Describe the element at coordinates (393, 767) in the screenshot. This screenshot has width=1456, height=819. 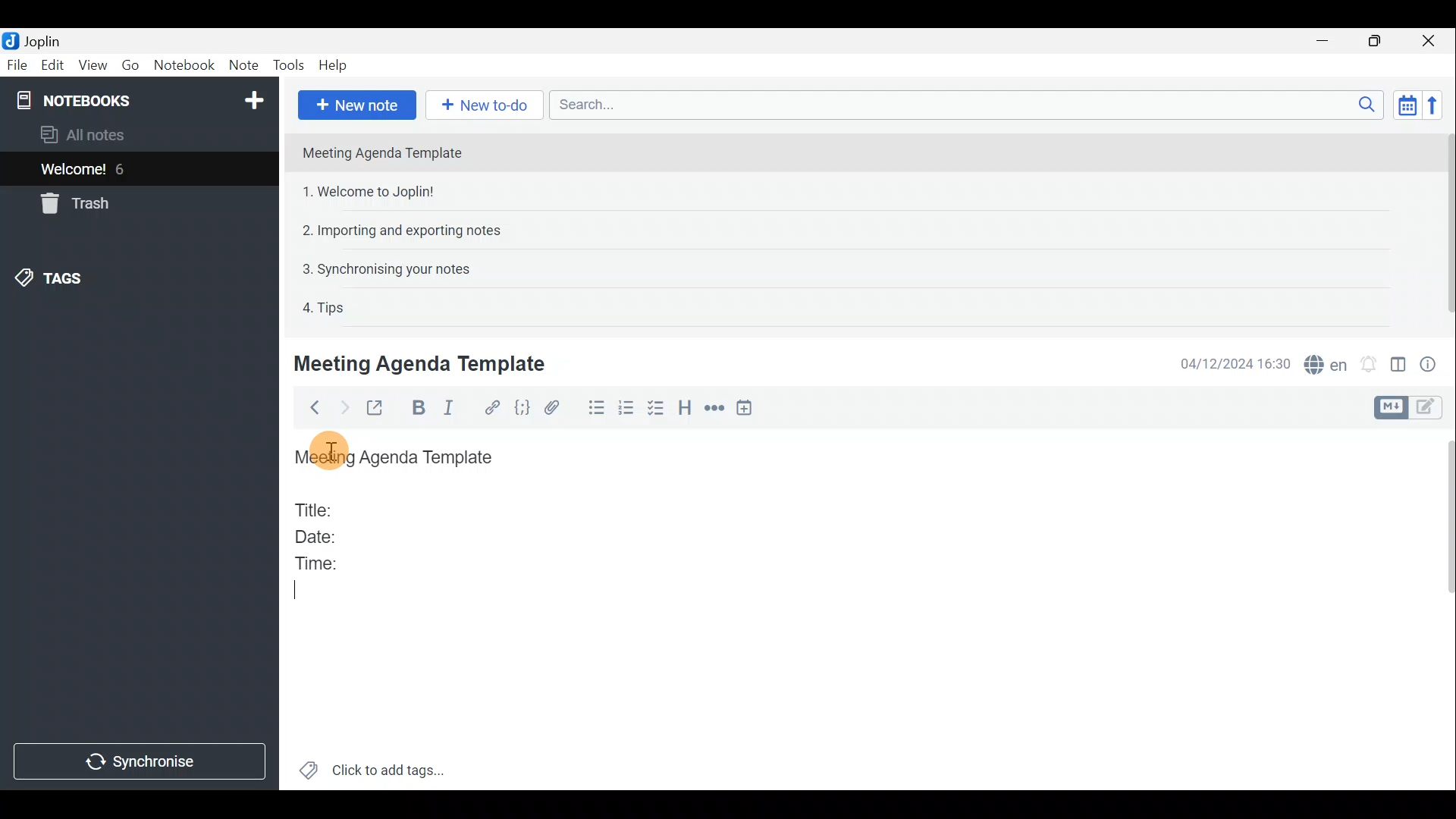
I see `Click to add tags` at that location.